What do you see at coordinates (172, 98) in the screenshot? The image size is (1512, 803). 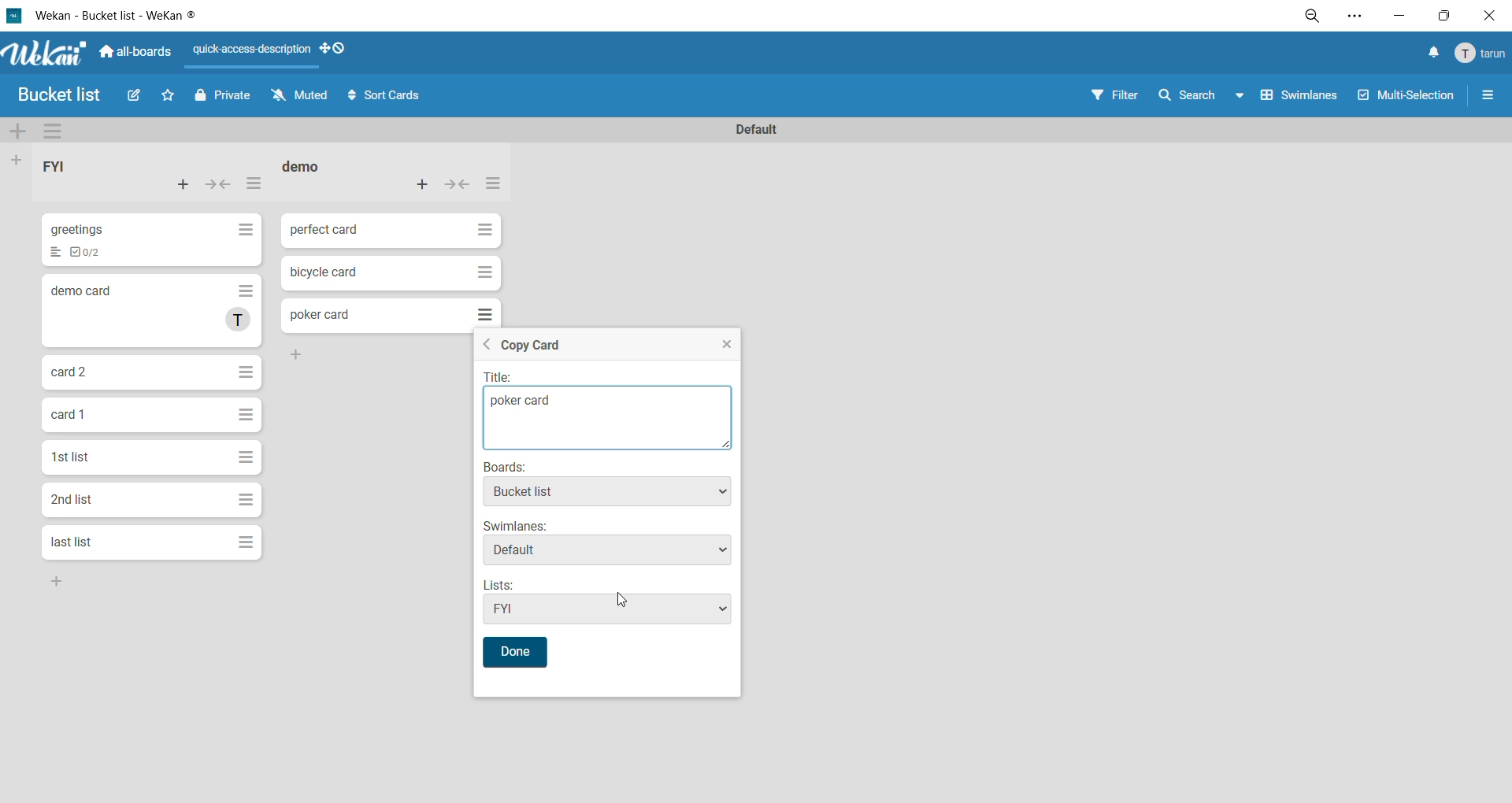 I see `star` at bounding box center [172, 98].